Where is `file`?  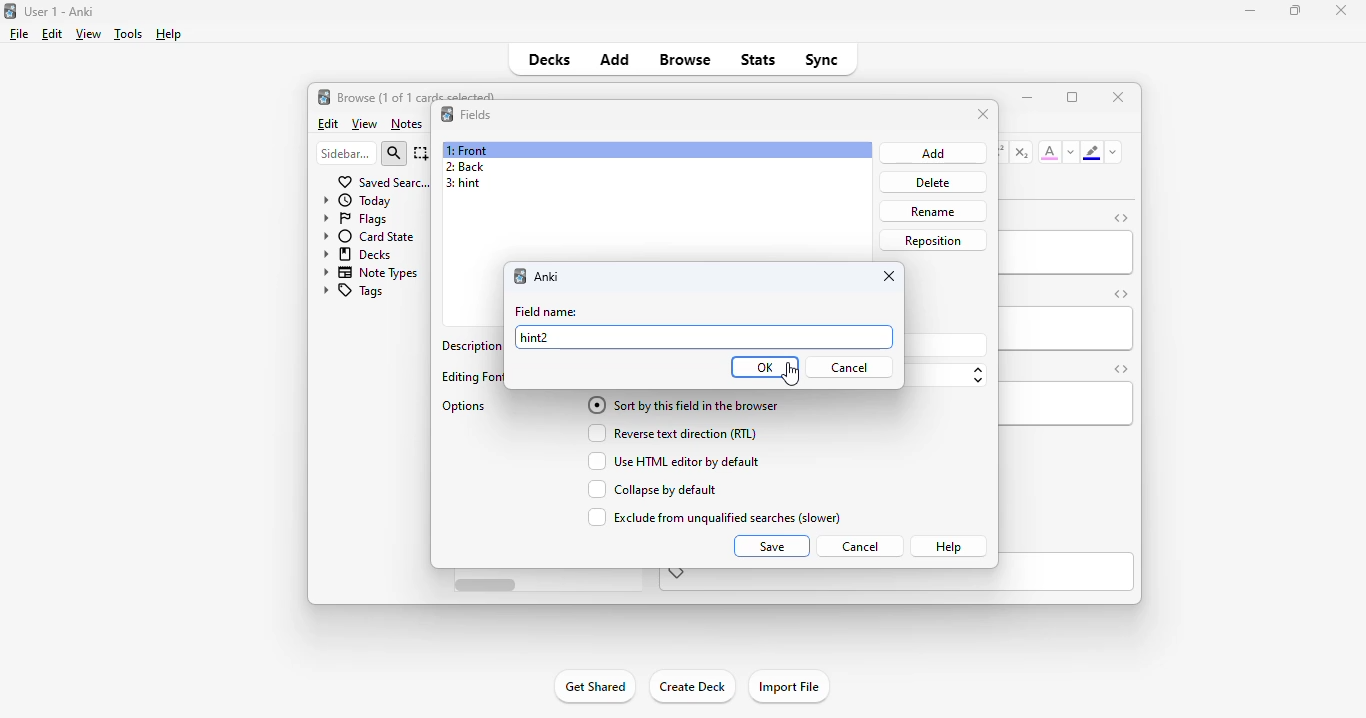
file is located at coordinates (19, 34).